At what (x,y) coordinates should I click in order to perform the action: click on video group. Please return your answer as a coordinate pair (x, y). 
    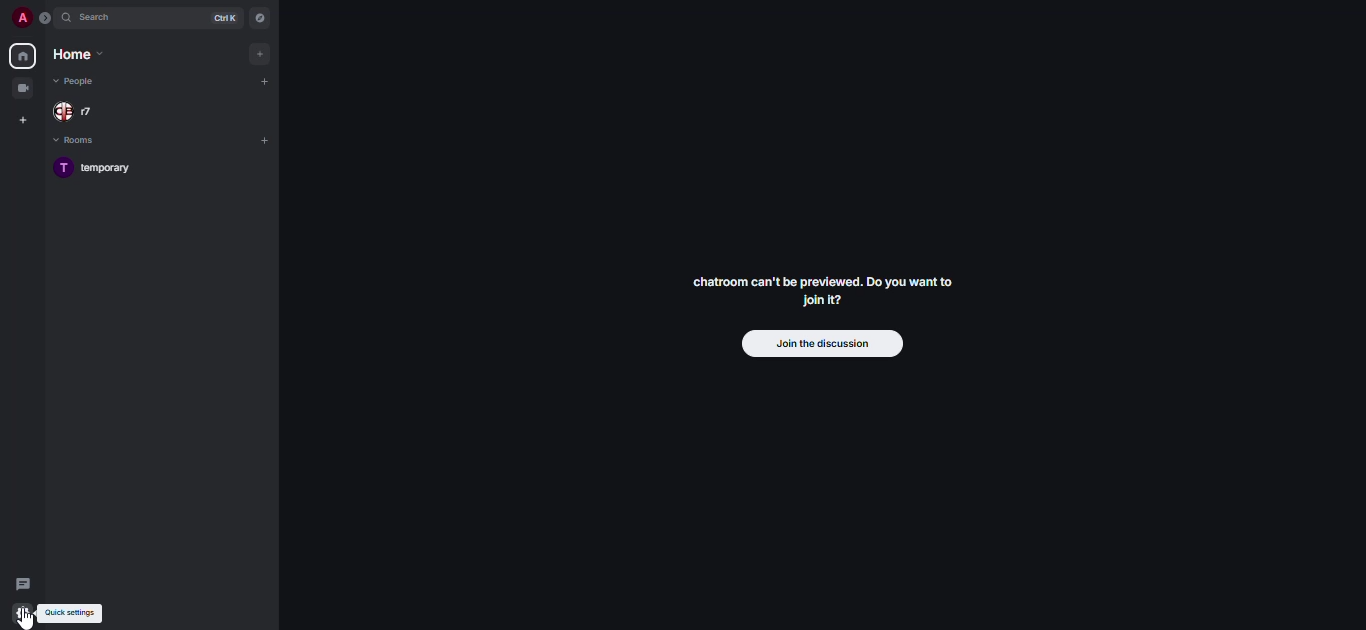
    Looking at the image, I should click on (24, 87).